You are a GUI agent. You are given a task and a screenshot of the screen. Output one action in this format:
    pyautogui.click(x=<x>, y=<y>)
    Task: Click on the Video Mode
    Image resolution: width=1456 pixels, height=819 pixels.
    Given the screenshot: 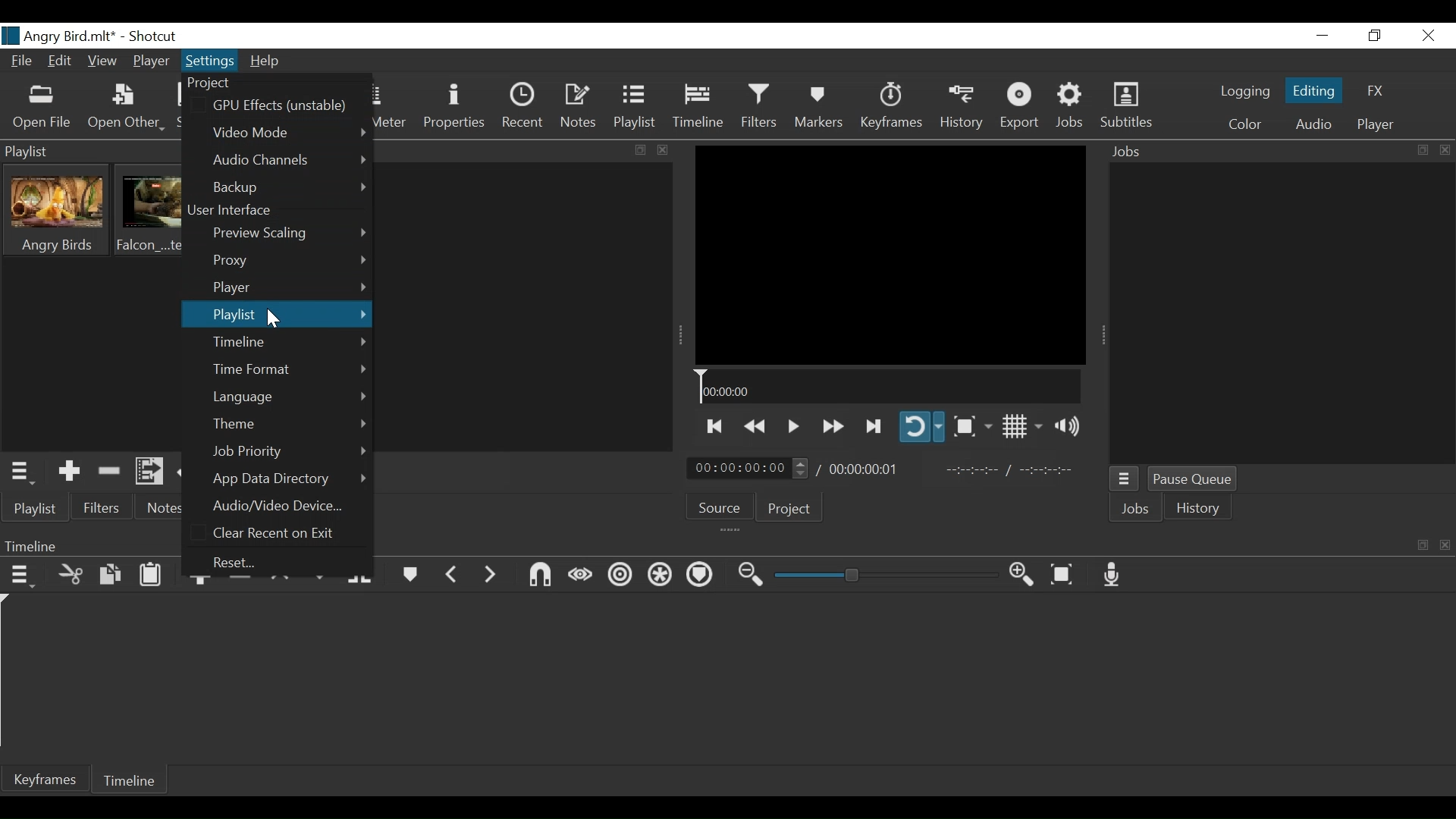 What is the action you would take?
    pyautogui.click(x=288, y=130)
    